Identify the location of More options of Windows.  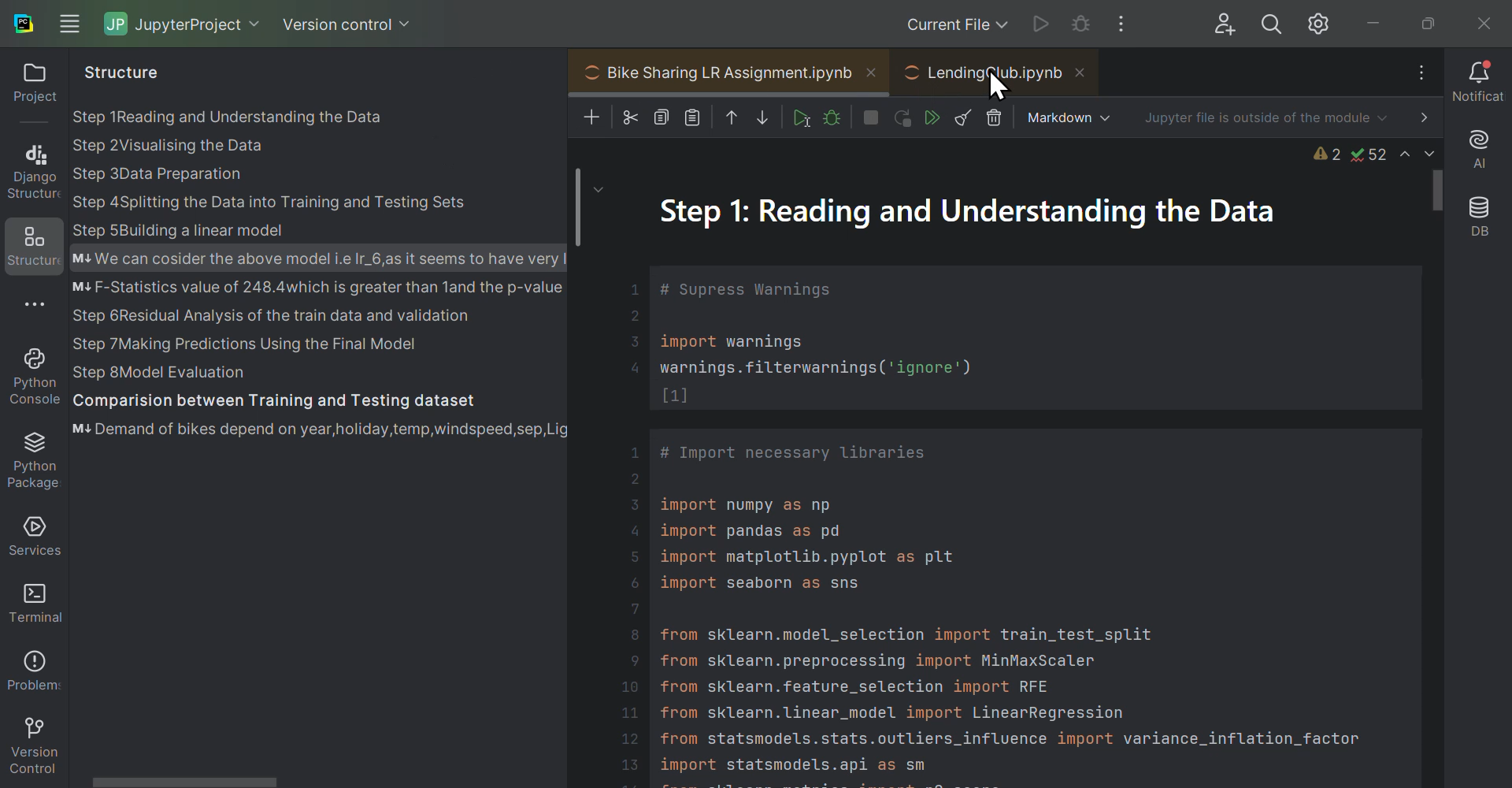
(1127, 25).